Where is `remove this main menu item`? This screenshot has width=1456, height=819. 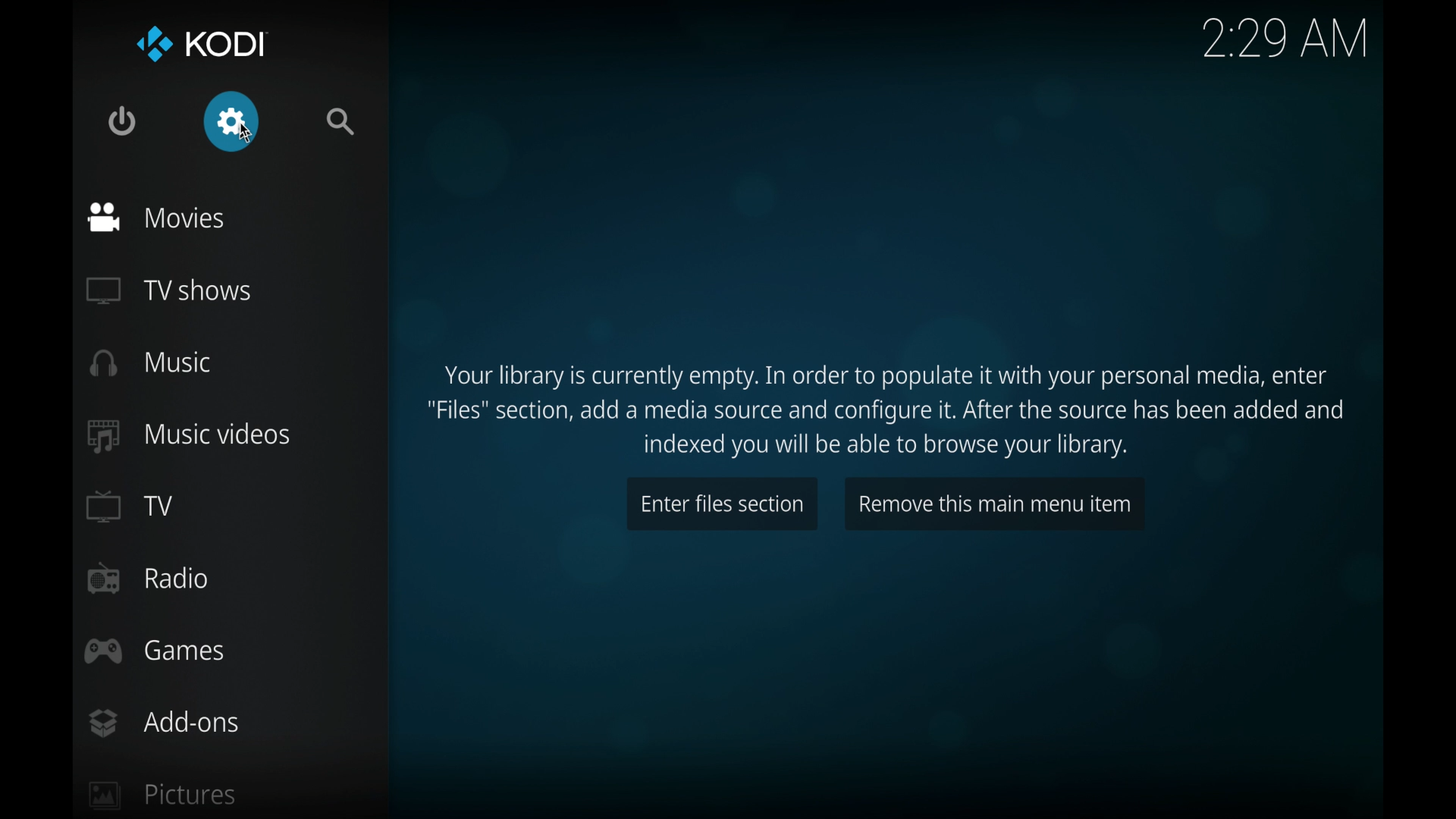
remove this main menu item is located at coordinates (993, 502).